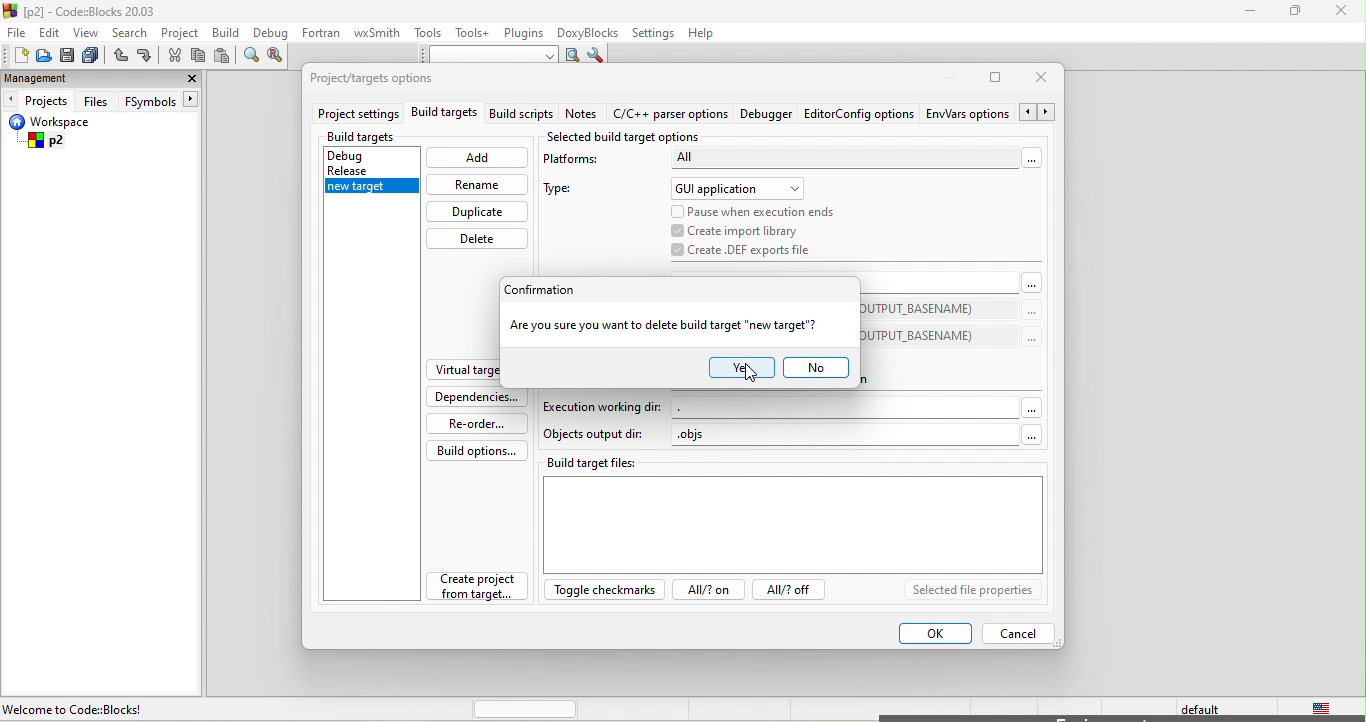 The image size is (1366, 722). I want to click on FSymbols, so click(163, 101).